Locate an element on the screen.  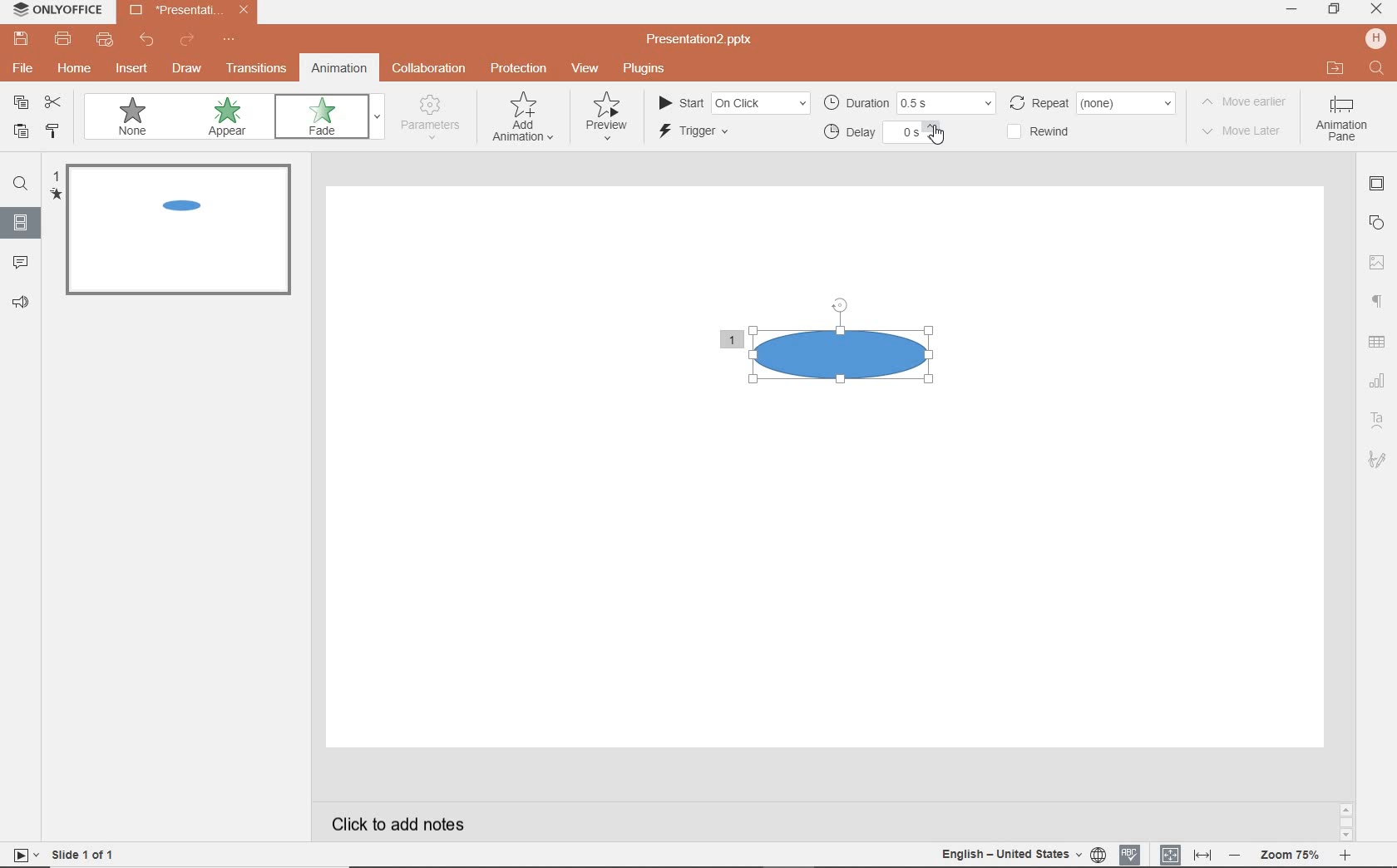
slide 1 is located at coordinates (176, 233).